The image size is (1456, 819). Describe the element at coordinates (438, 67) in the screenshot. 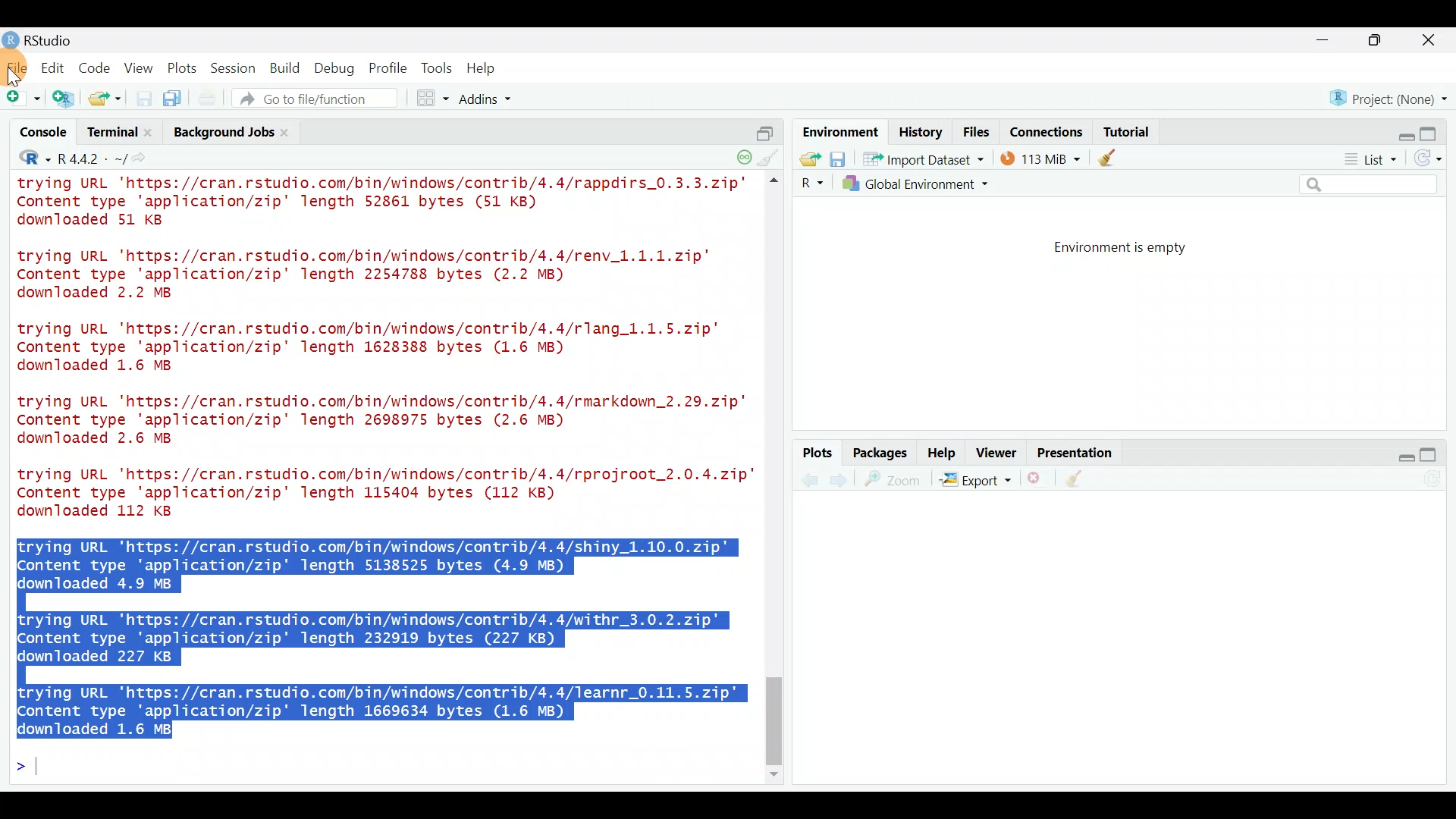

I see `Tools` at that location.